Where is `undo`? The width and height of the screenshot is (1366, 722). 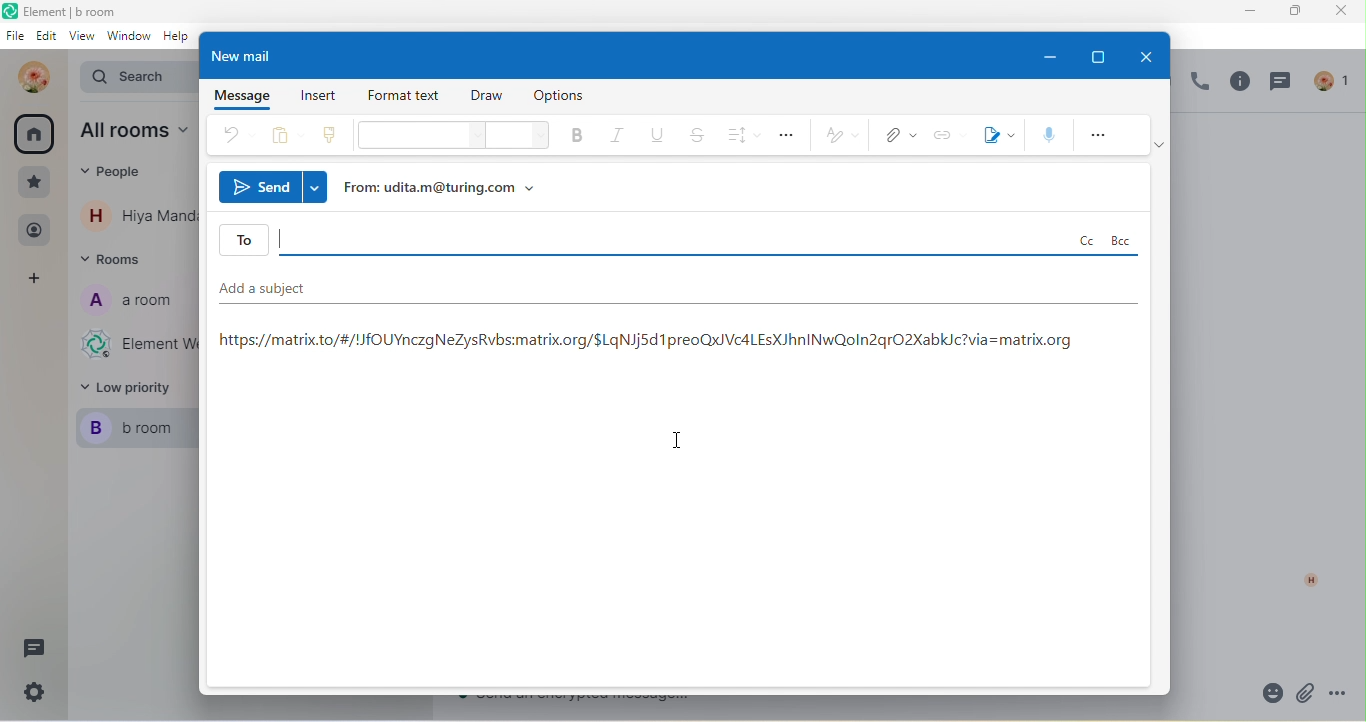
undo is located at coordinates (238, 136).